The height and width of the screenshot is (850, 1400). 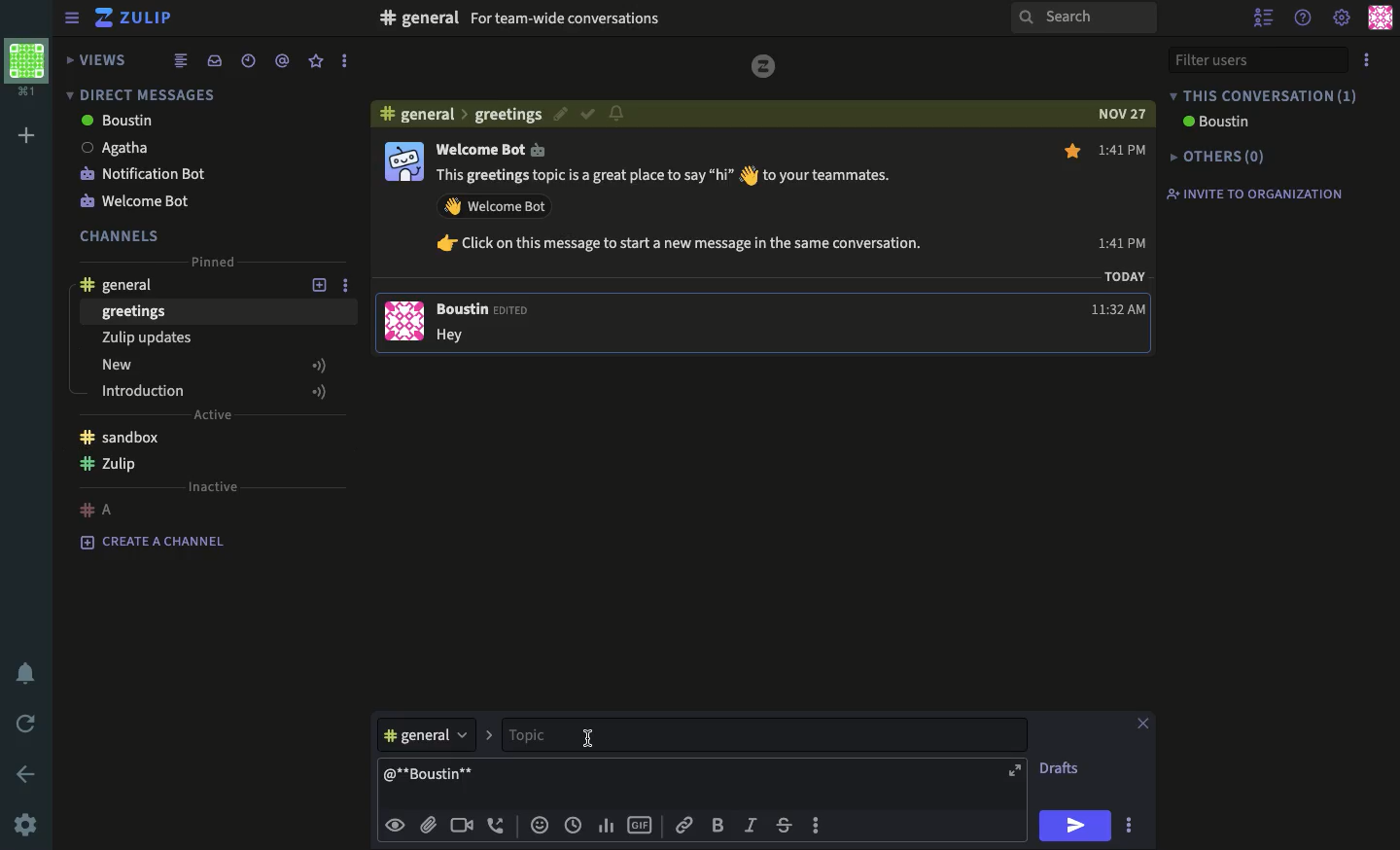 I want to click on channels, so click(x=122, y=234).